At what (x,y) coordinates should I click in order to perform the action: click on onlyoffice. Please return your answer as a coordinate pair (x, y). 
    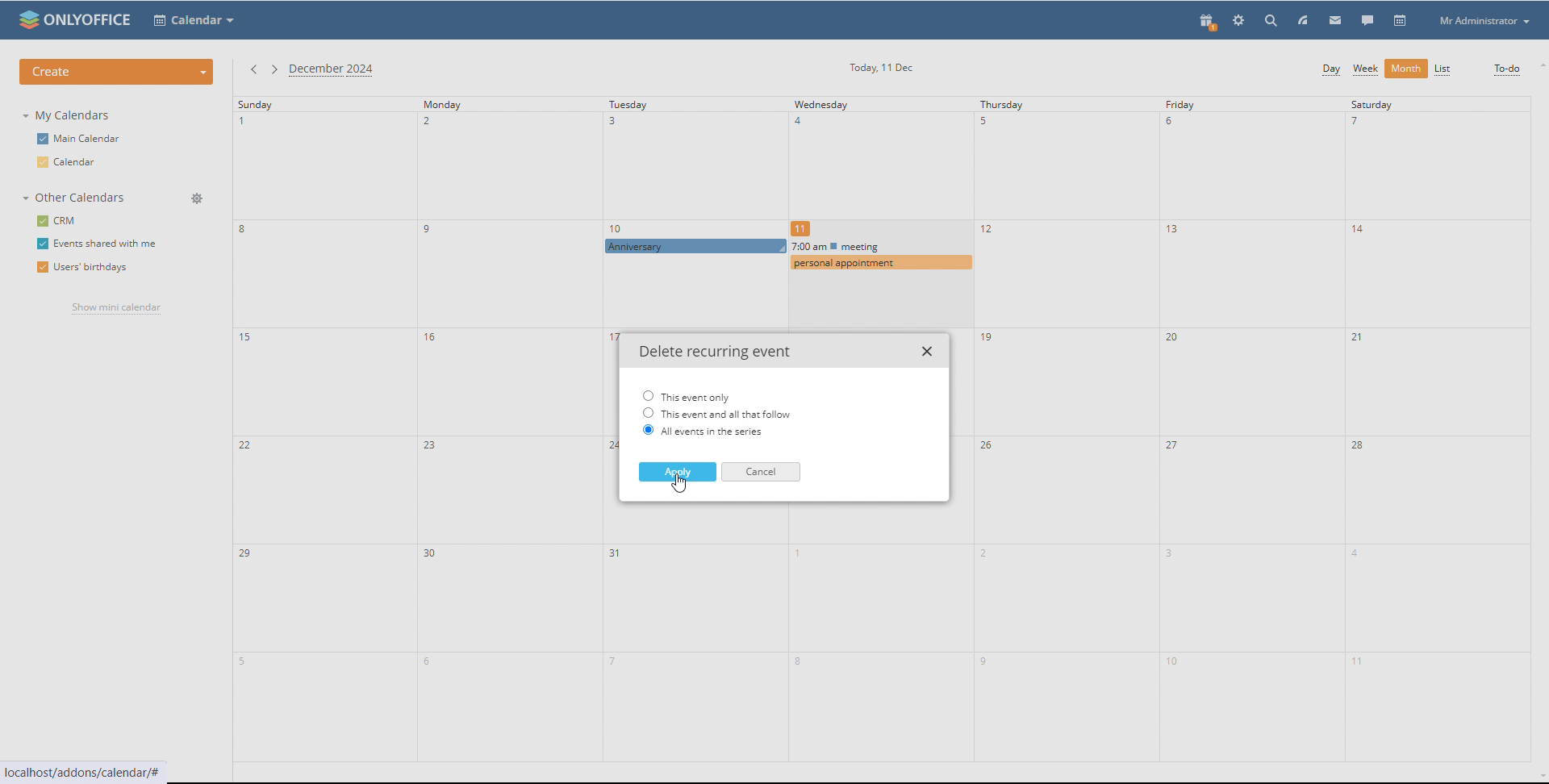
    Looking at the image, I should click on (90, 21).